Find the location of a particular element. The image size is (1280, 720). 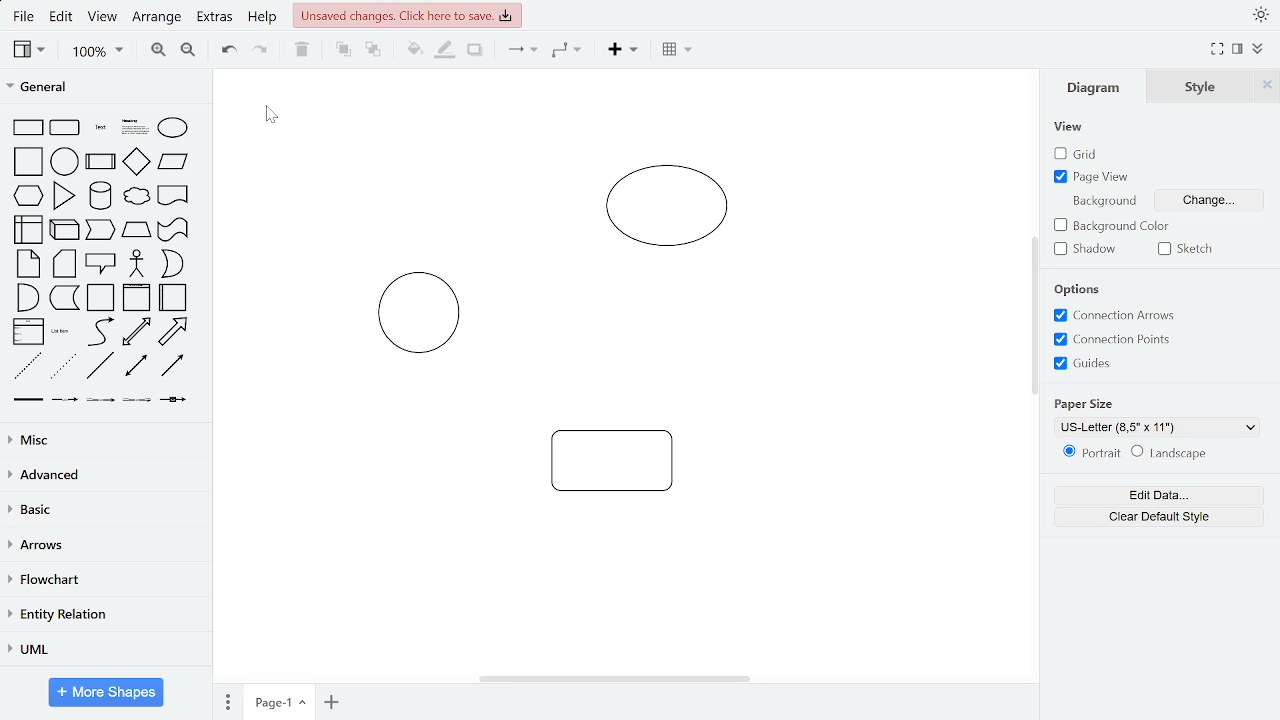

extras is located at coordinates (216, 19).